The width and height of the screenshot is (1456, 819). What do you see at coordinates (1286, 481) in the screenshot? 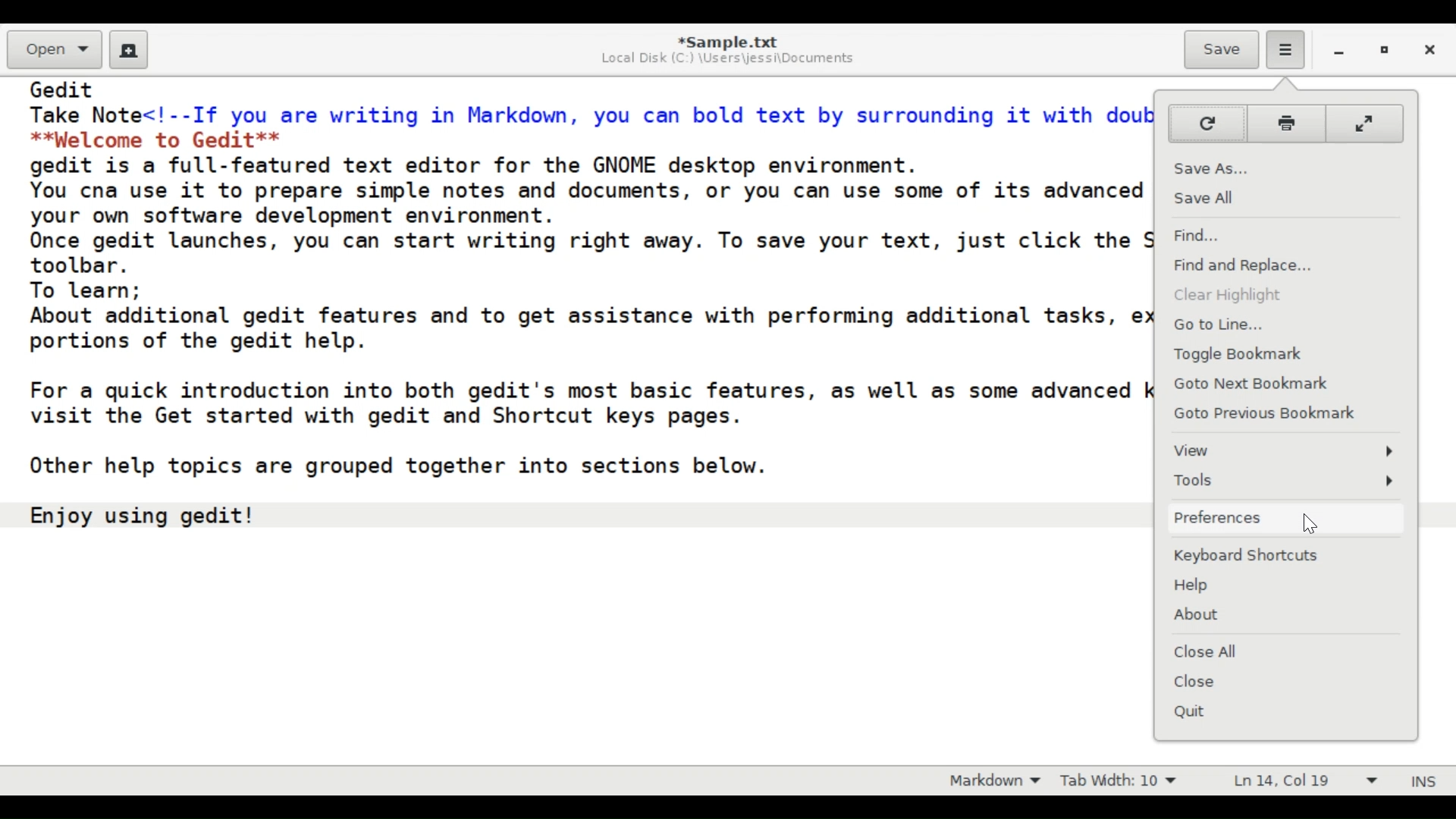
I see `Tools` at bounding box center [1286, 481].